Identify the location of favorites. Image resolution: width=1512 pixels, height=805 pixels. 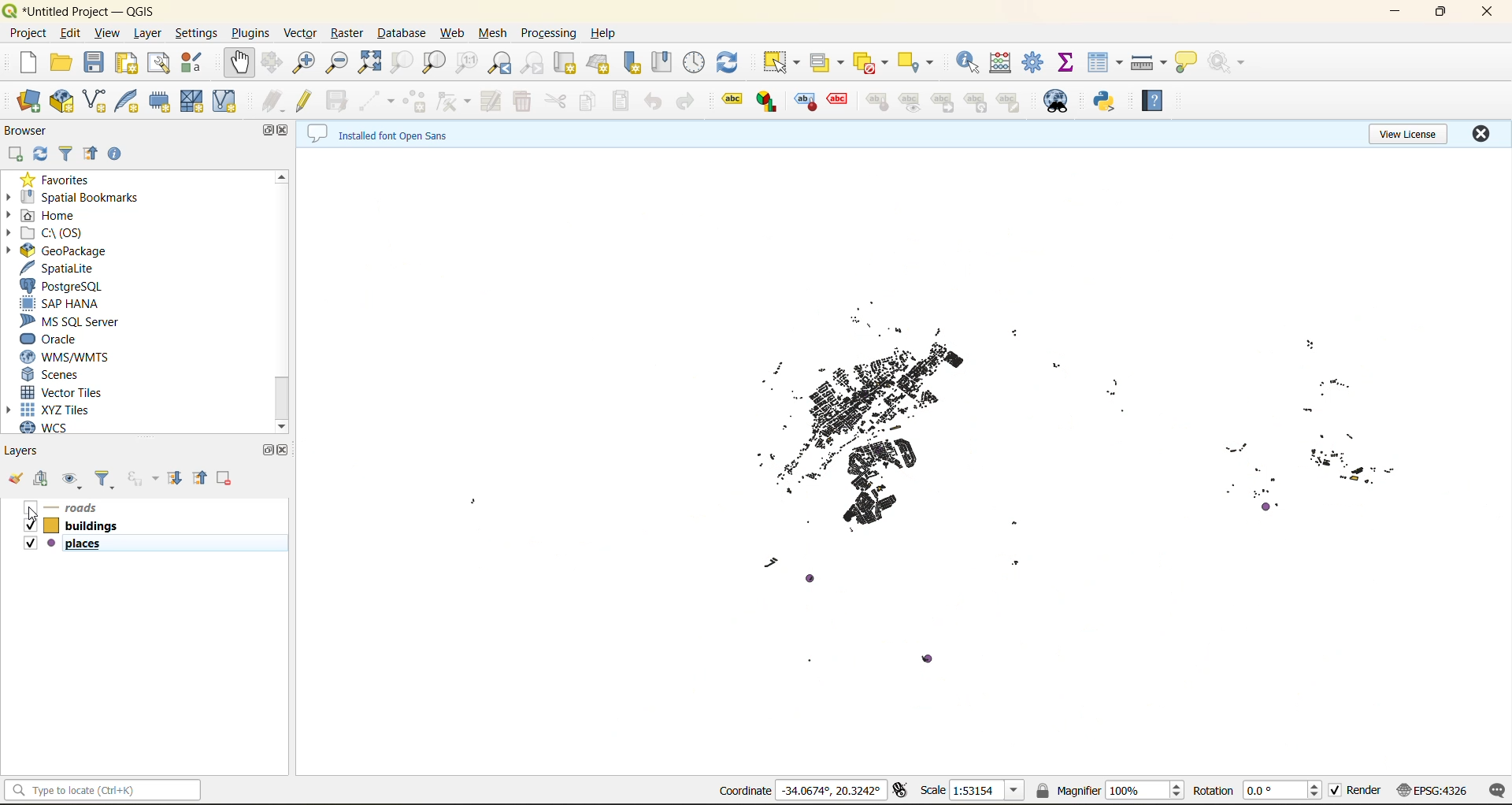
(61, 180).